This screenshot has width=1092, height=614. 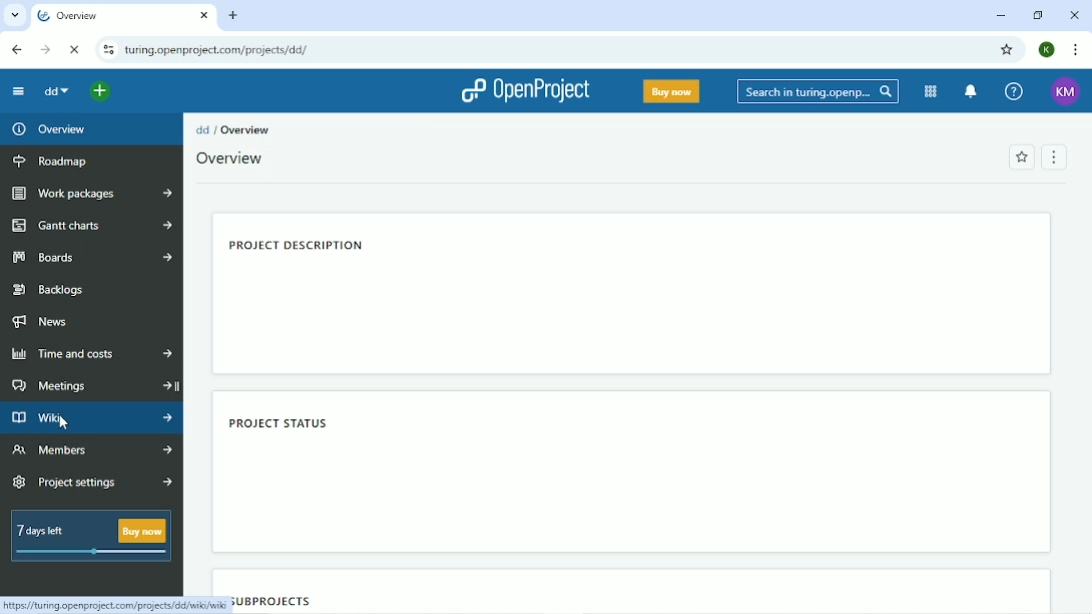 I want to click on Project status, so click(x=279, y=421).